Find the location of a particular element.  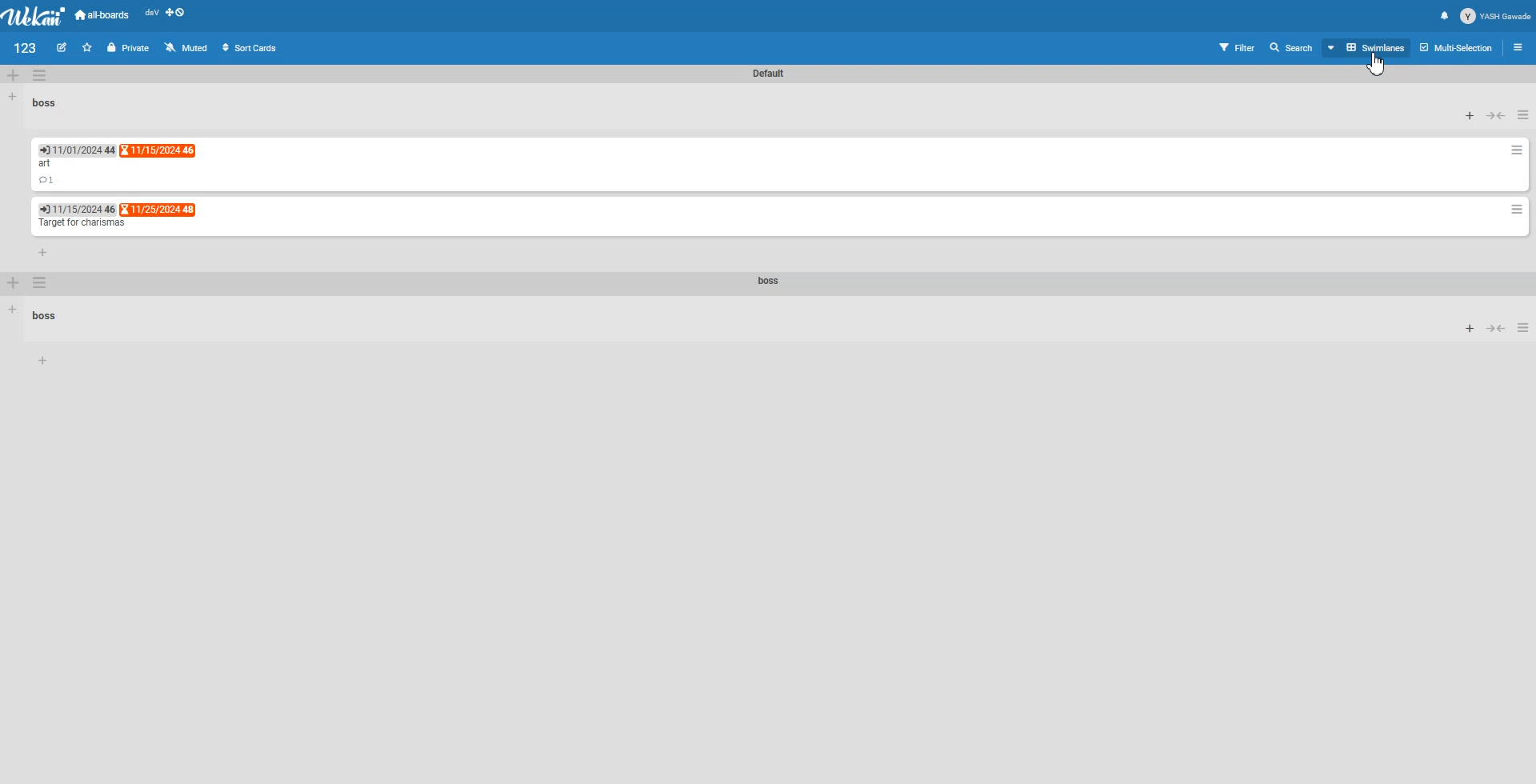

Search is located at coordinates (1293, 47).